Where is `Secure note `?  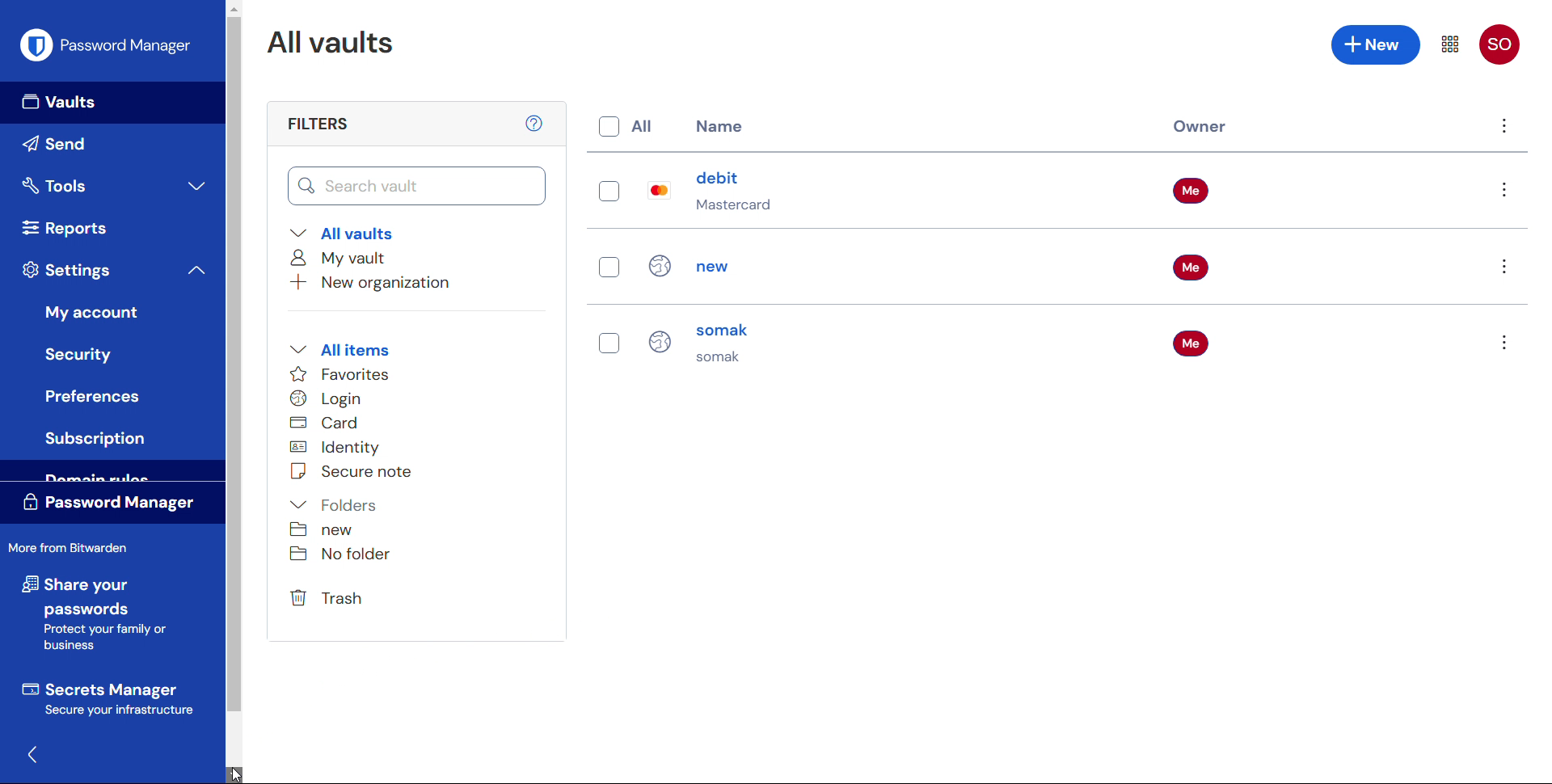
Secure note  is located at coordinates (352, 471).